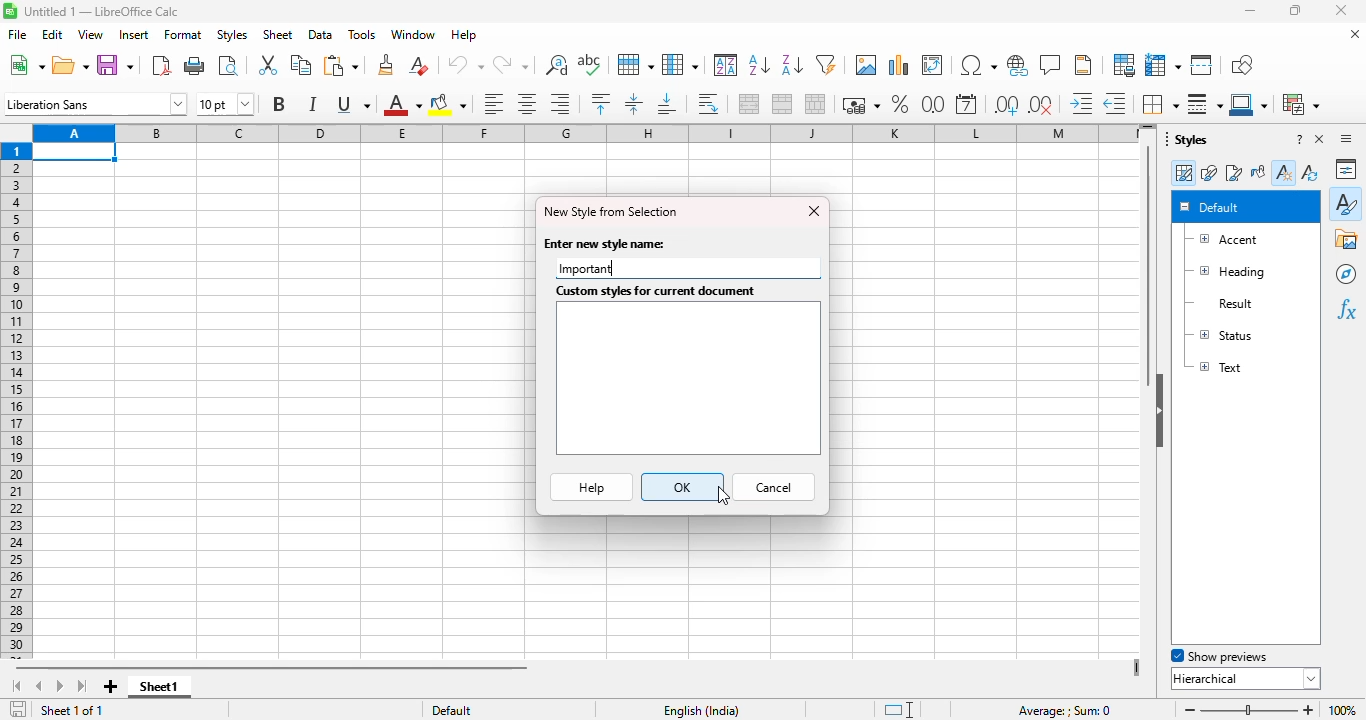  What do you see at coordinates (1217, 366) in the screenshot?
I see `text` at bounding box center [1217, 366].